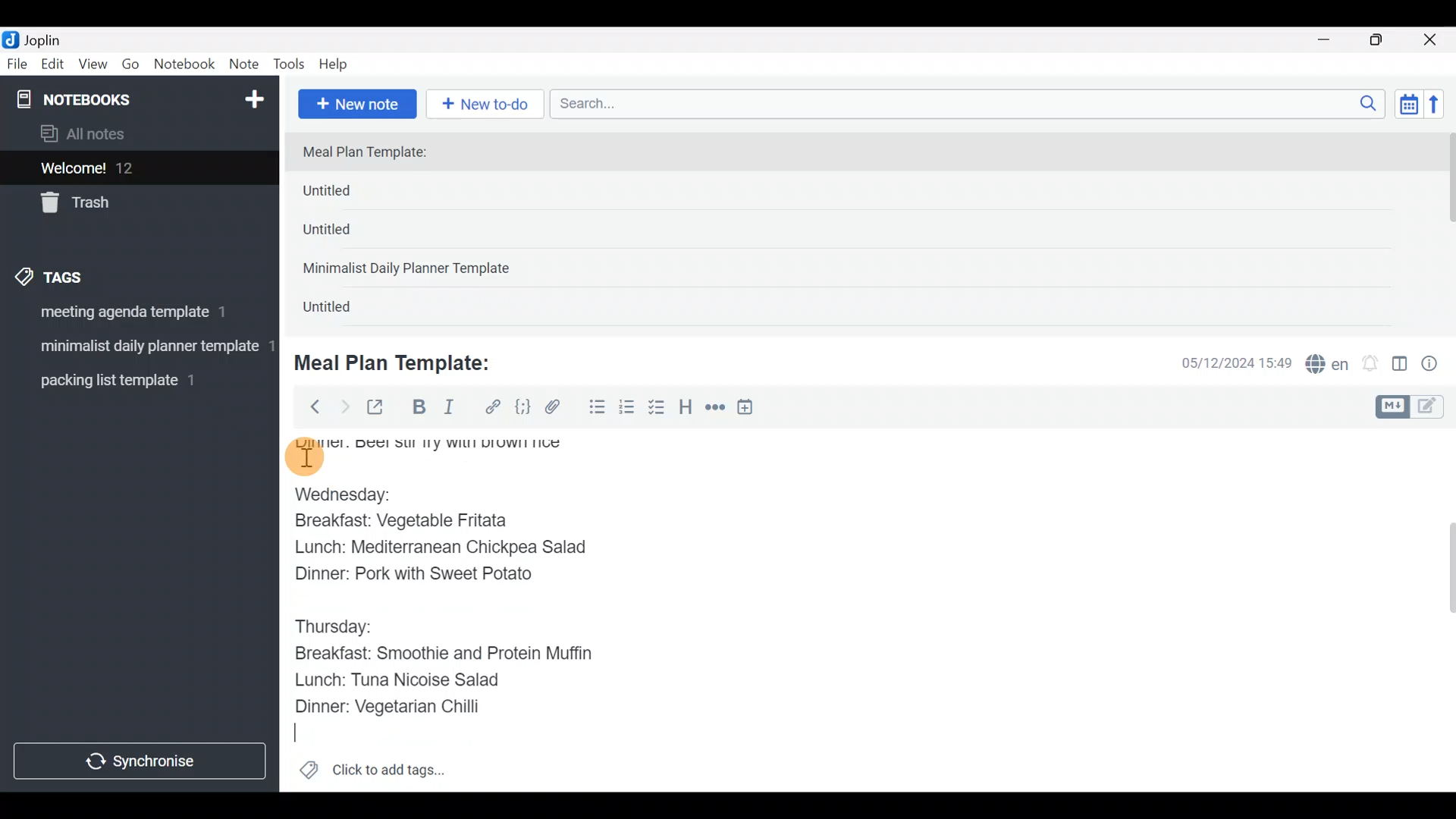 Image resolution: width=1456 pixels, height=819 pixels. I want to click on Close, so click(1432, 41).